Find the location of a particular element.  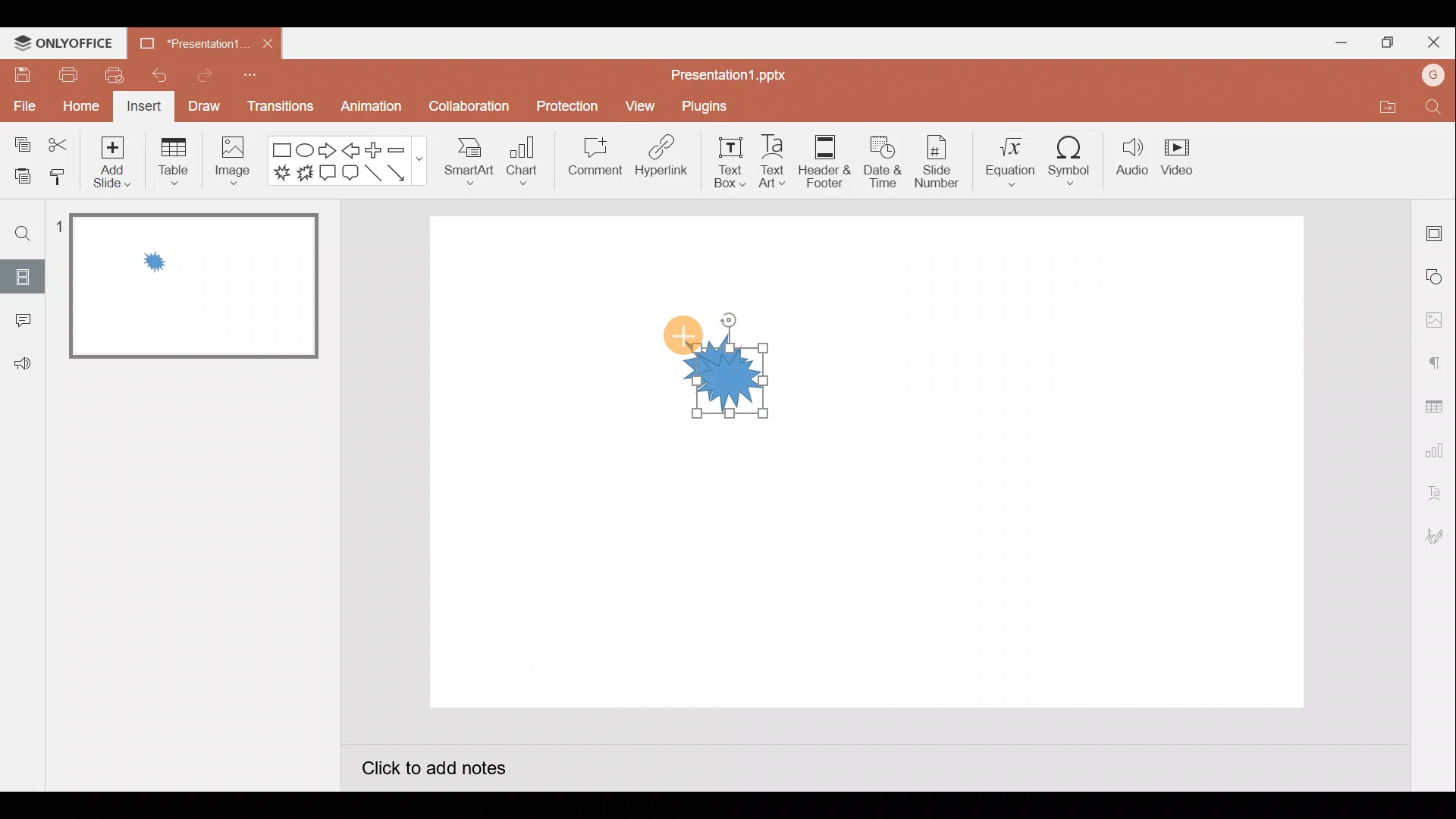

Rectangular callout is located at coordinates (329, 175).